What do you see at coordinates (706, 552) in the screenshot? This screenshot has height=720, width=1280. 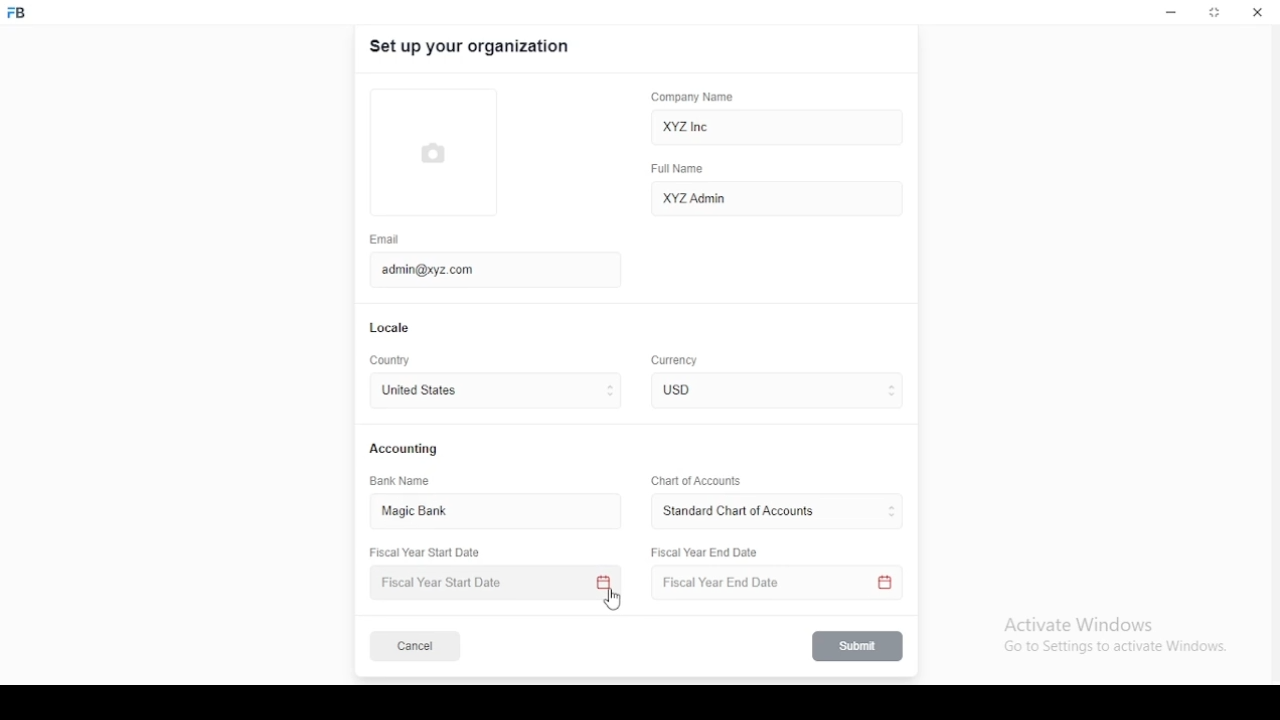 I see `Fiscal Year End Date` at bounding box center [706, 552].